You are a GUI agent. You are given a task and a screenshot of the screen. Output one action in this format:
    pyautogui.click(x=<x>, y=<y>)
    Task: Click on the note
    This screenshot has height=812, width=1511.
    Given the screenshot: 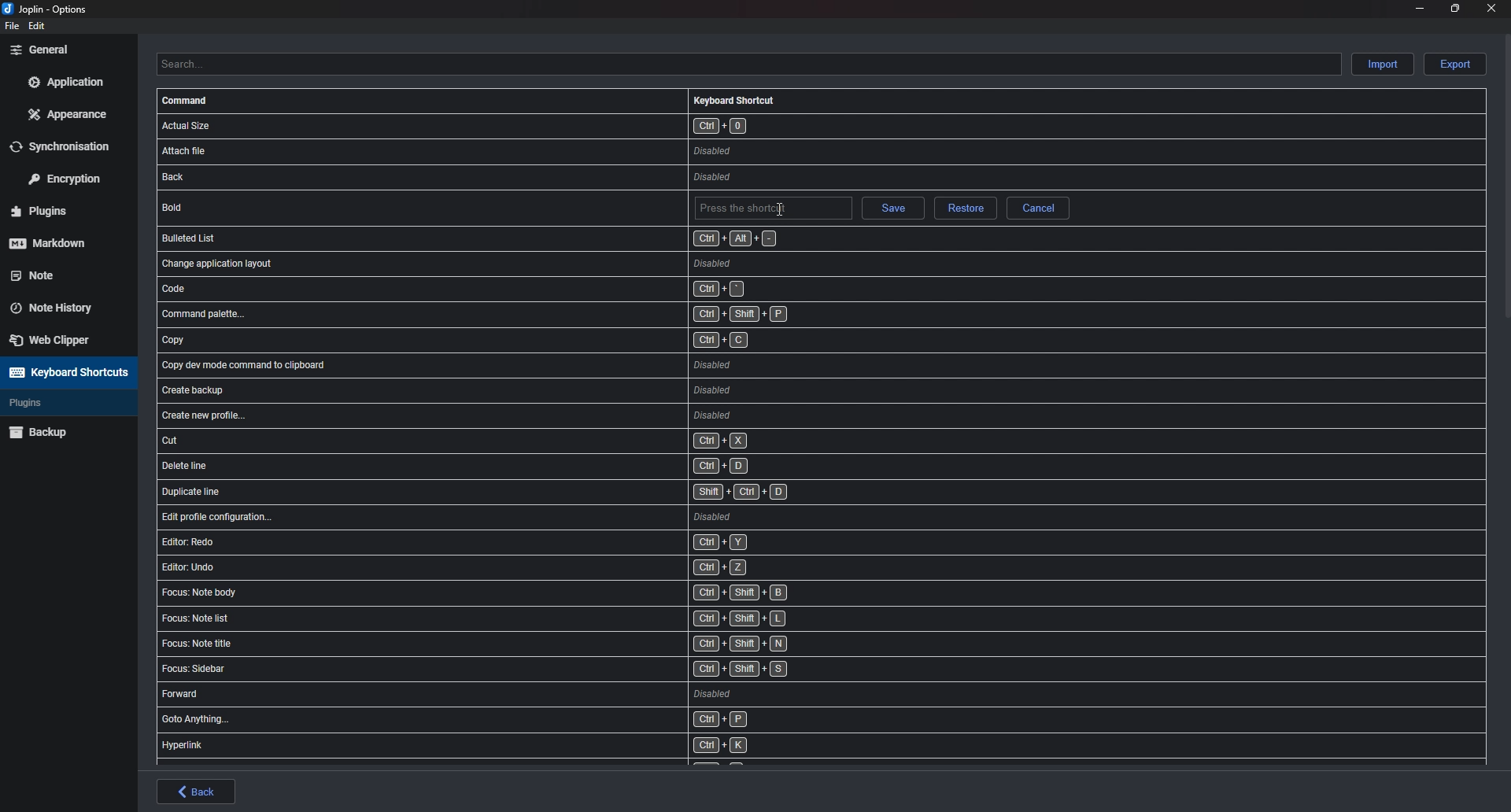 What is the action you would take?
    pyautogui.click(x=59, y=274)
    